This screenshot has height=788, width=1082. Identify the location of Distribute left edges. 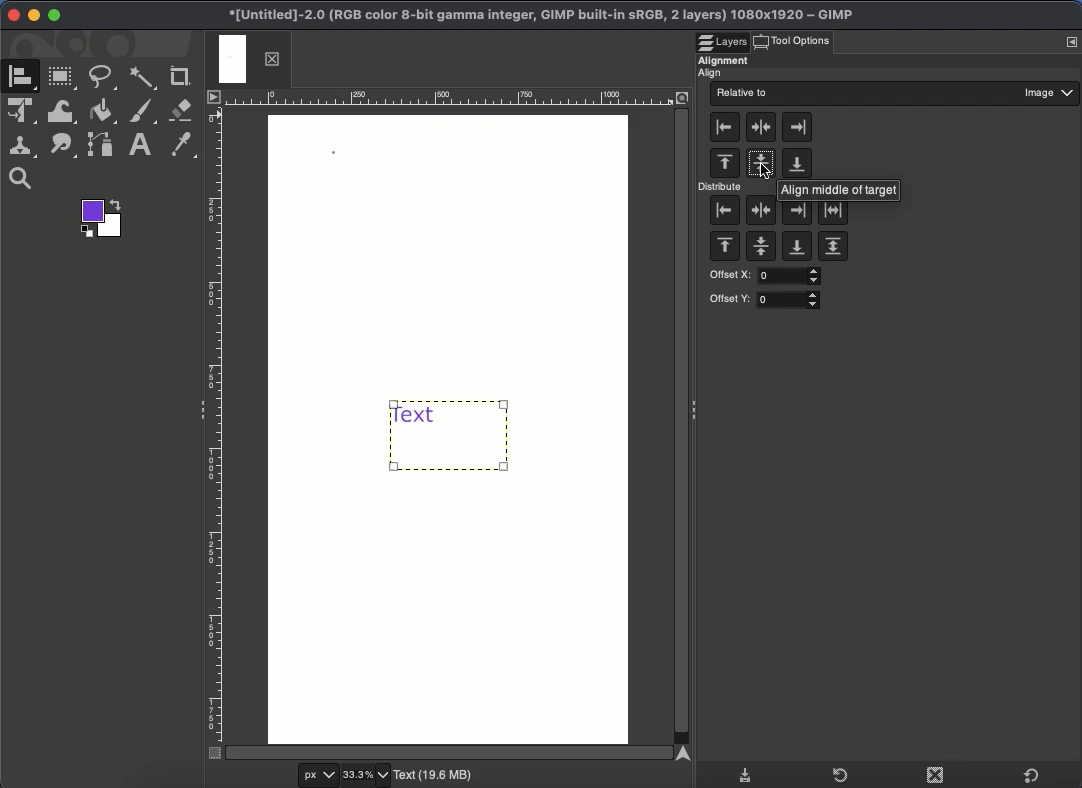
(723, 212).